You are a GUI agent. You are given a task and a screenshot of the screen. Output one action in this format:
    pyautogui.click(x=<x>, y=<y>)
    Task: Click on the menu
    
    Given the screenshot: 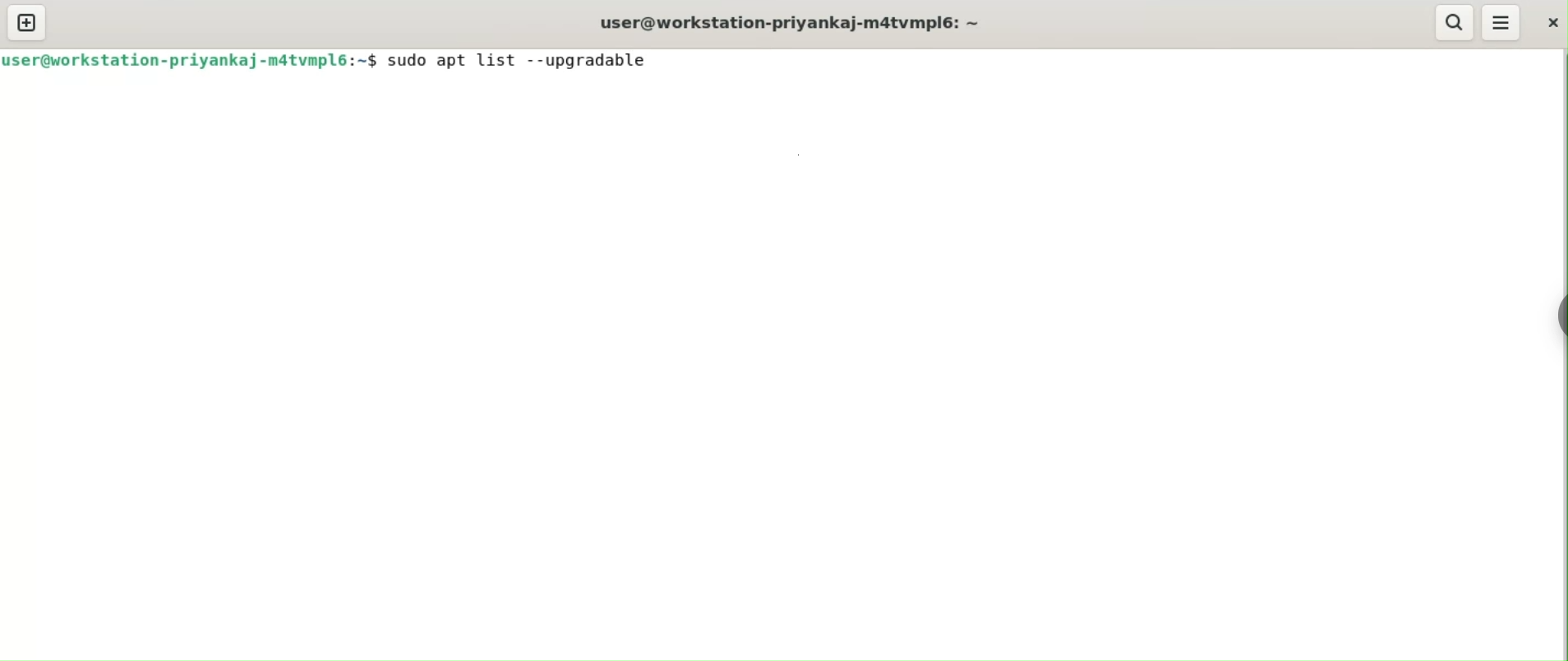 What is the action you would take?
    pyautogui.click(x=1500, y=23)
    